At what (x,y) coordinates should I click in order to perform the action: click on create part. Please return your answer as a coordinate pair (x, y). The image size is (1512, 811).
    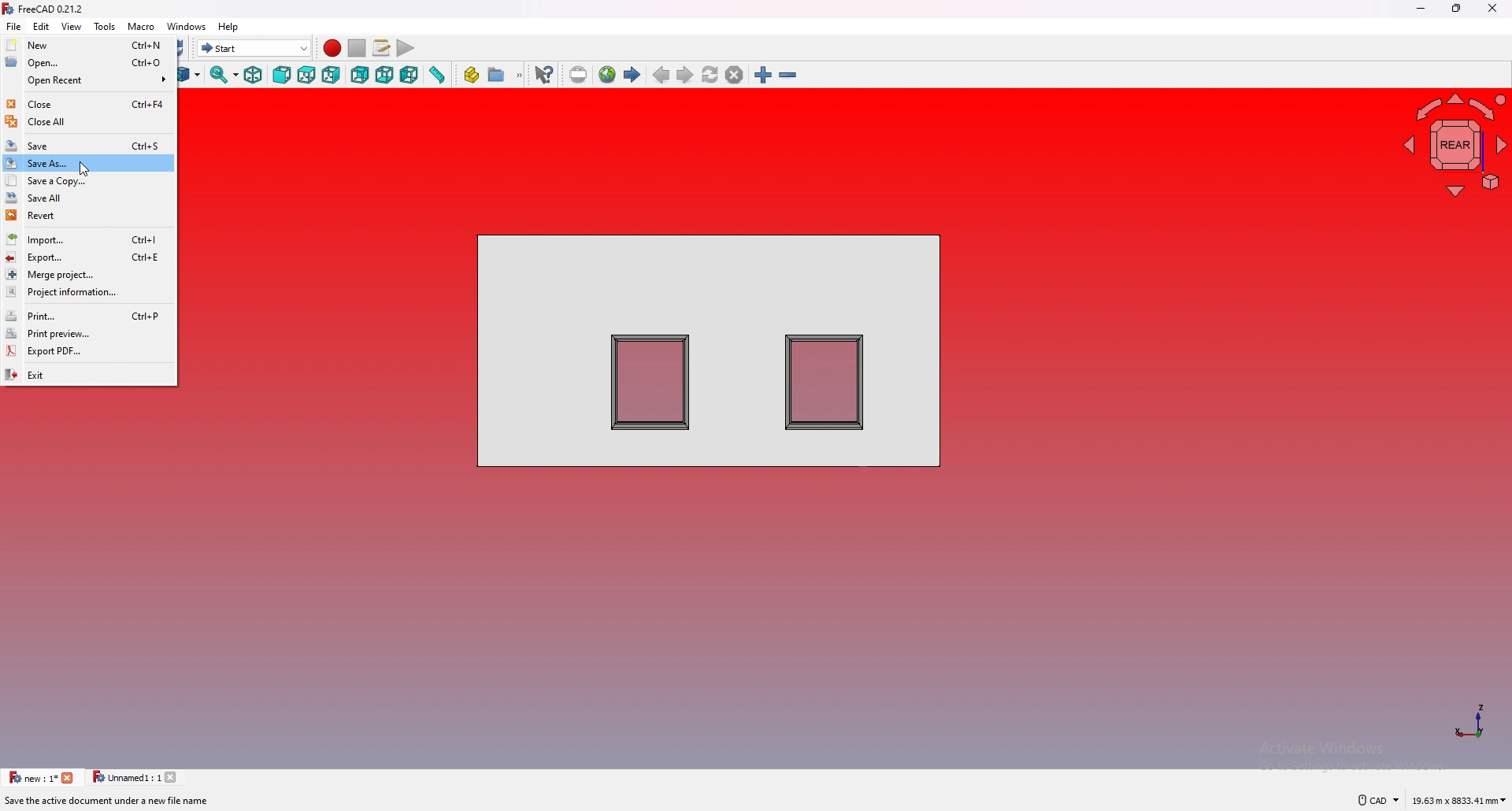
    Looking at the image, I should click on (472, 76).